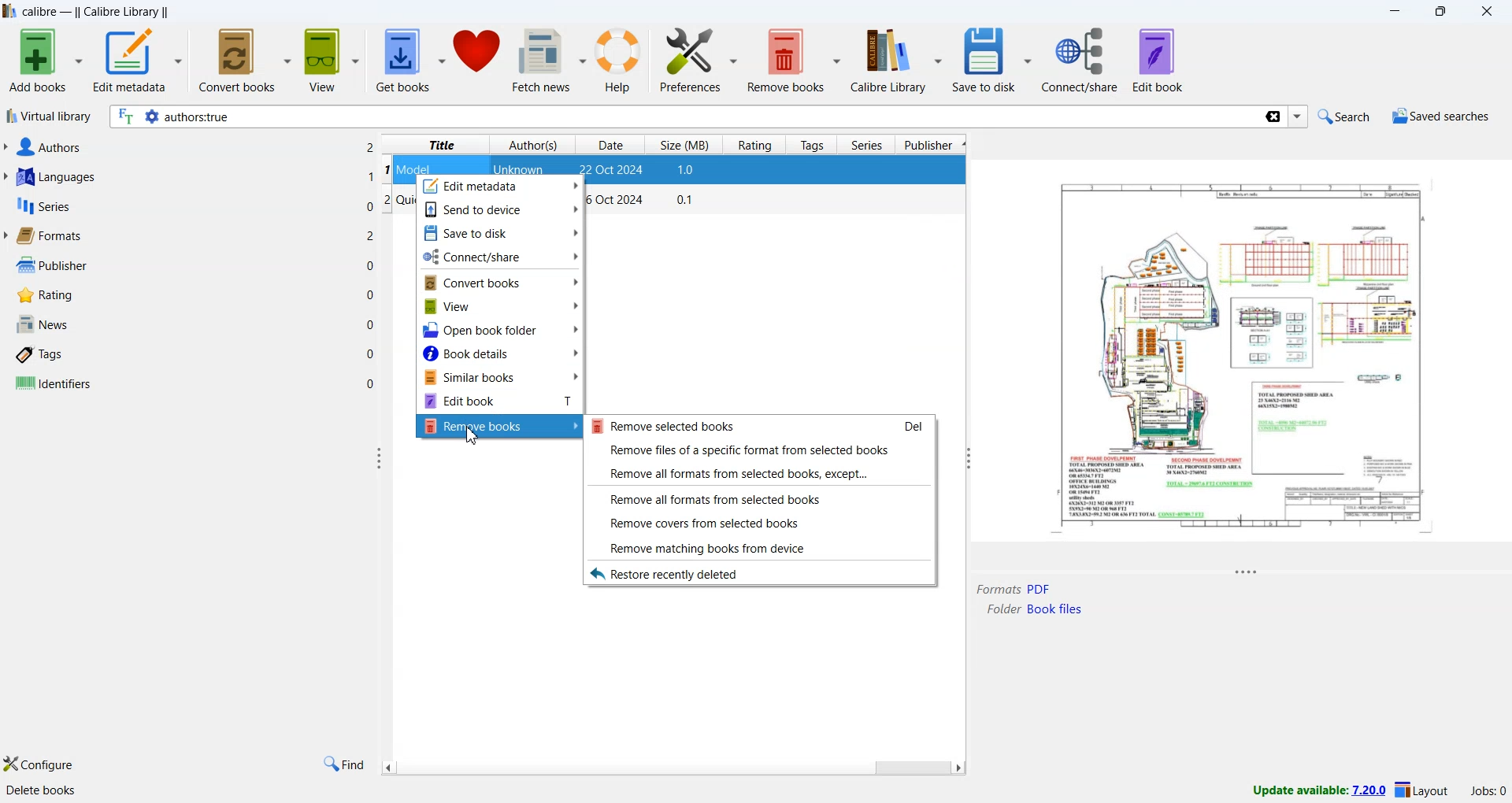  I want to click on , so click(372, 236).